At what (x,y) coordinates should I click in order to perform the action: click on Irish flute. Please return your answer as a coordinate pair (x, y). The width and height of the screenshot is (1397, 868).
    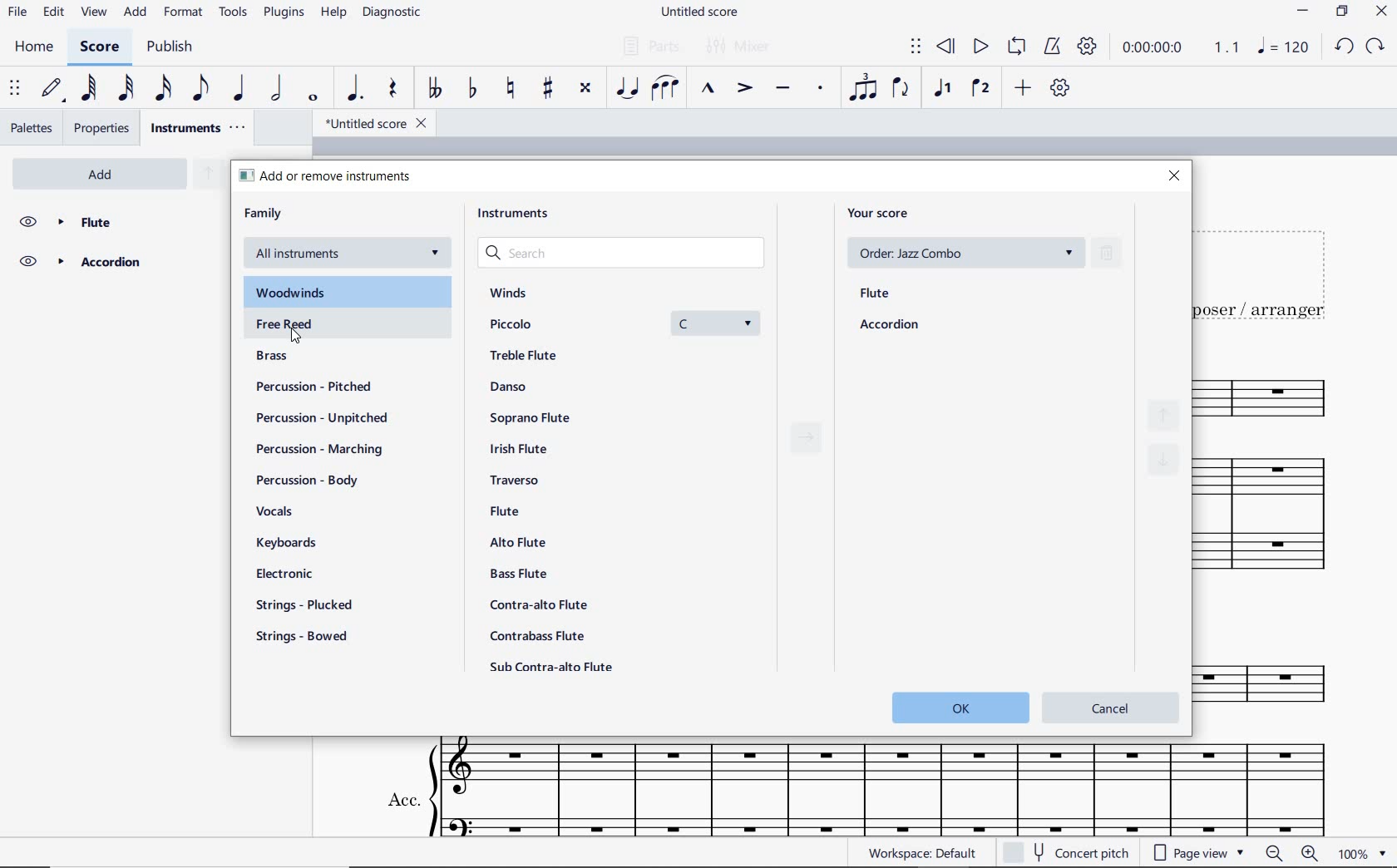
    Looking at the image, I should click on (521, 449).